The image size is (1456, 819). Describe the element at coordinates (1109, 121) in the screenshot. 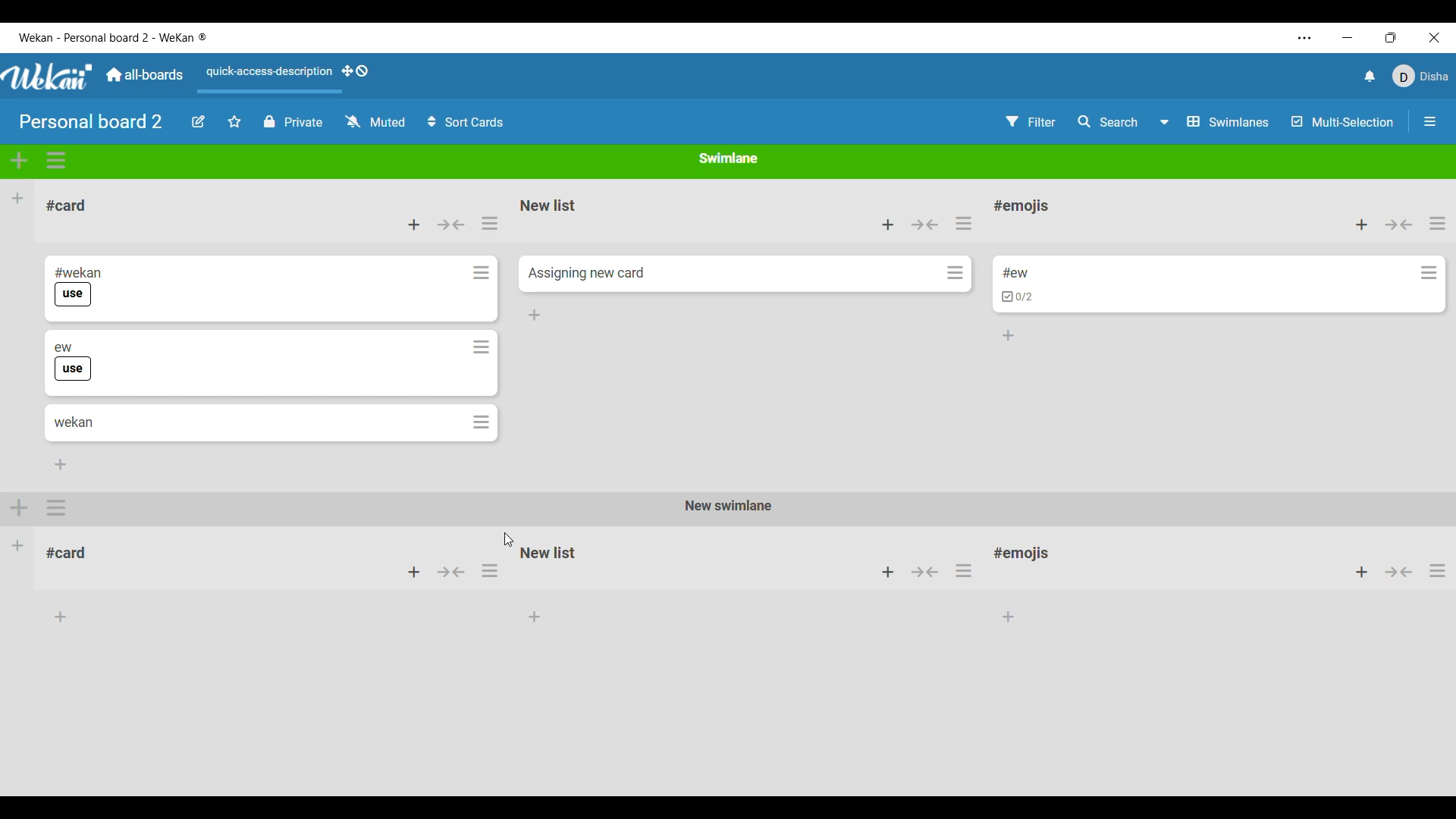

I see `Search ` at that location.